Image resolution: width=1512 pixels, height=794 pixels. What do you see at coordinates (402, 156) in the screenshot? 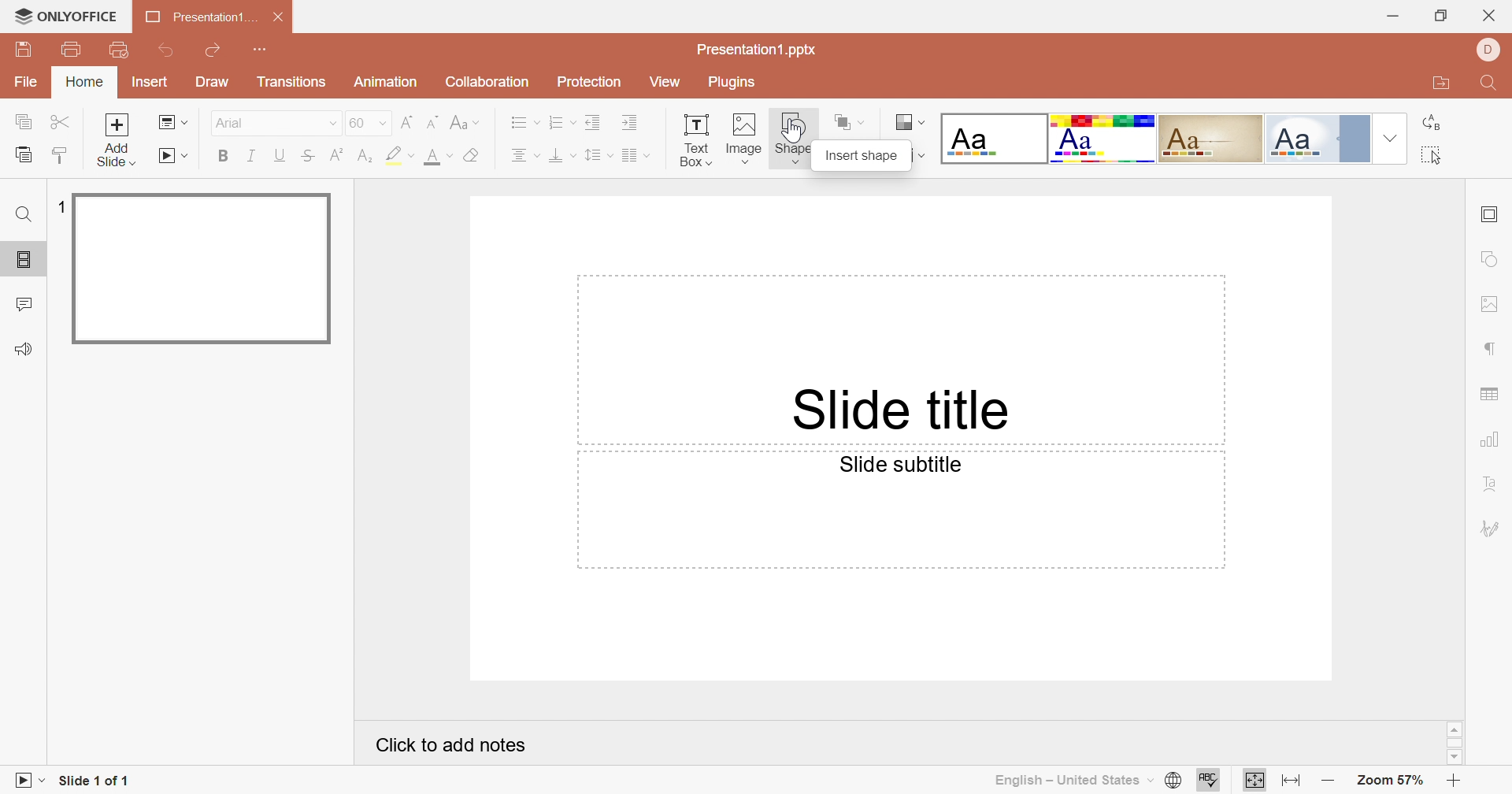
I see `Highlight color` at bounding box center [402, 156].